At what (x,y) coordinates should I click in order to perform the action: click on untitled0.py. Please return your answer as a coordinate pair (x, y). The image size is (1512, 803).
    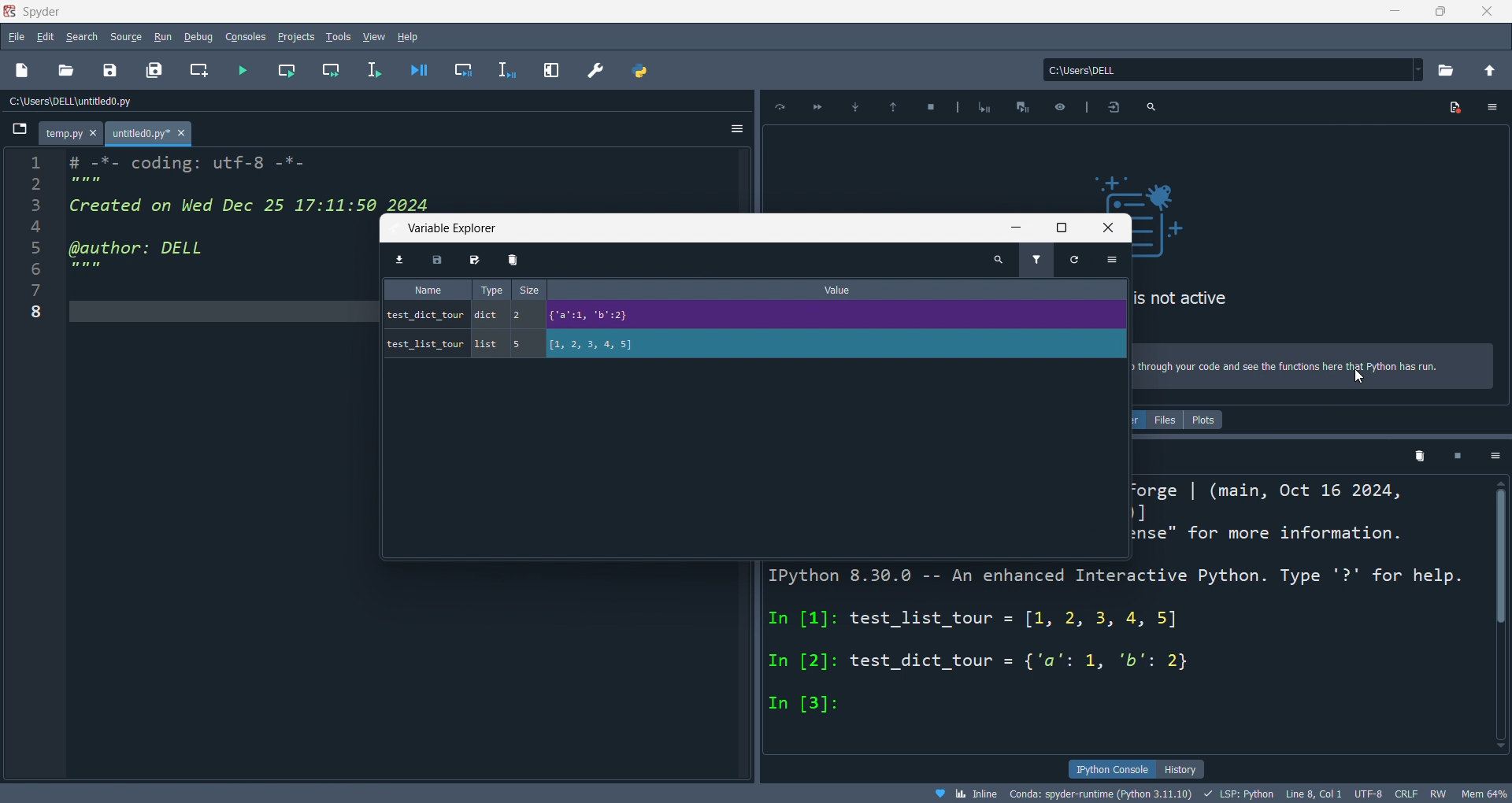
    Looking at the image, I should click on (149, 134).